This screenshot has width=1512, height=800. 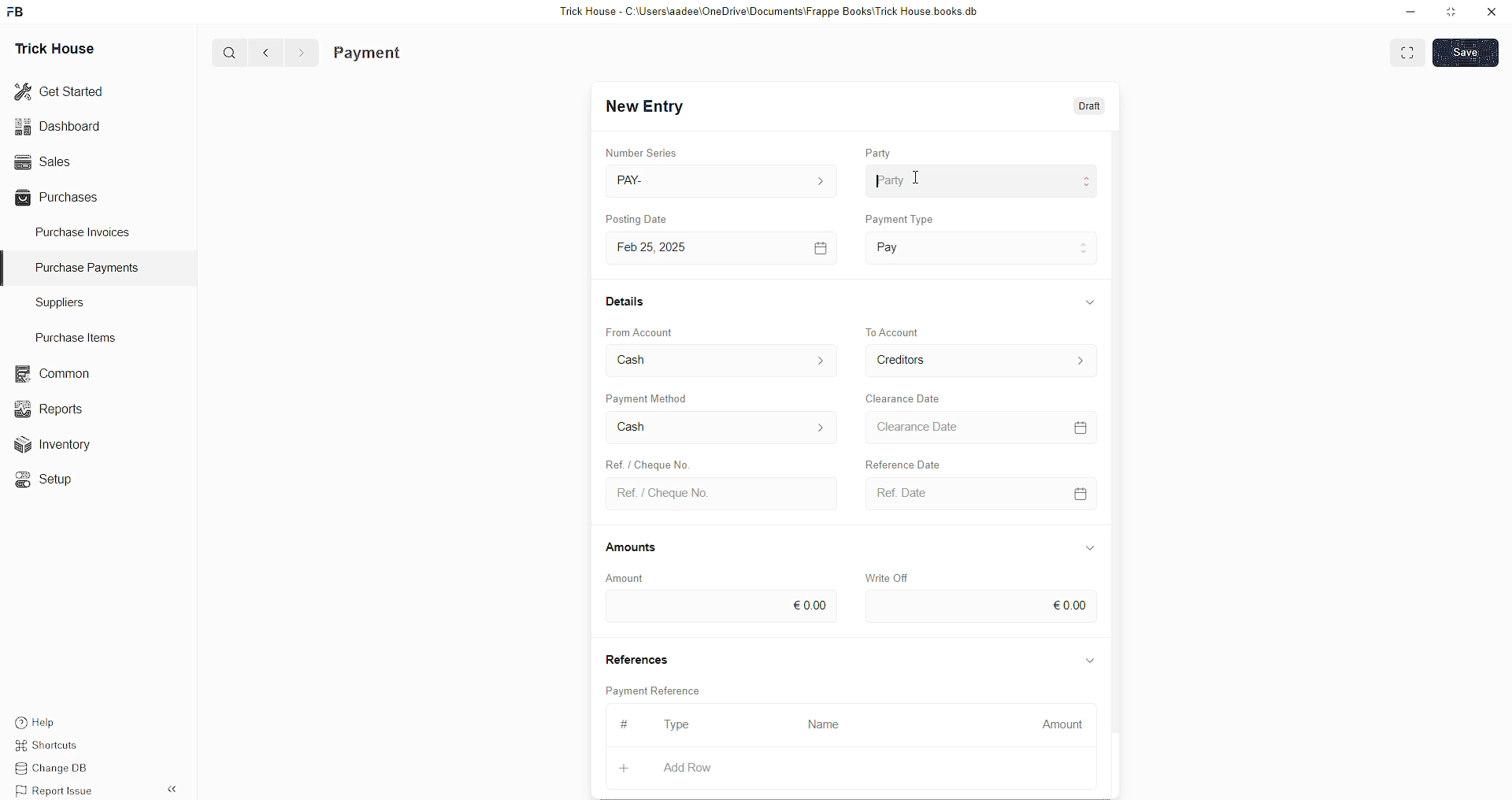 What do you see at coordinates (772, 12) in the screenshot?
I see `Trick House - C:\Users\aadee\OneDrive\Documents\Frappe Books\Trick House books.db` at bounding box center [772, 12].